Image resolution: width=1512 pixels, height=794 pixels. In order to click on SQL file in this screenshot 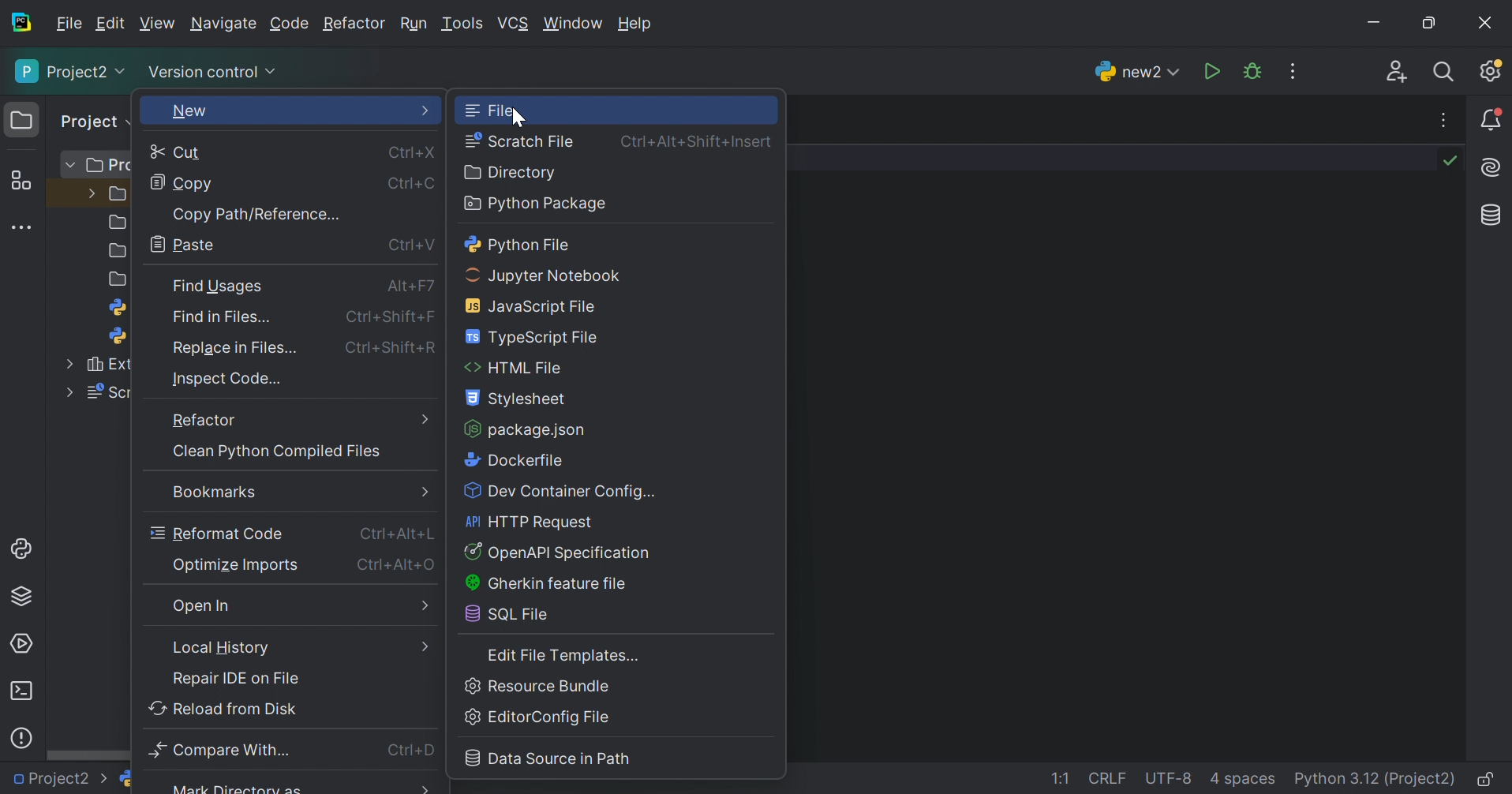, I will do `click(512, 615)`.